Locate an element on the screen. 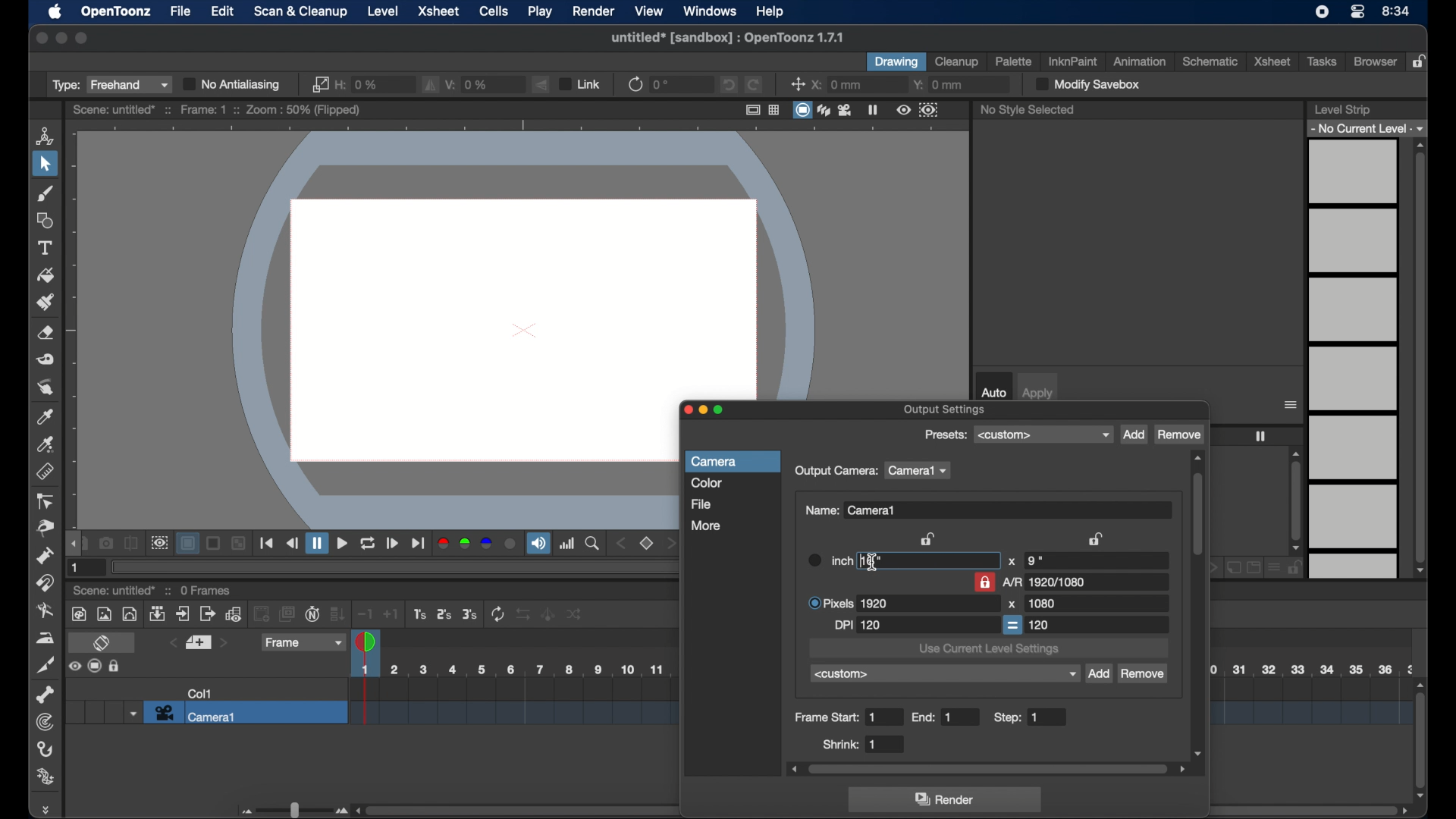 The width and height of the screenshot is (1456, 819).  is located at coordinates (337, 615).